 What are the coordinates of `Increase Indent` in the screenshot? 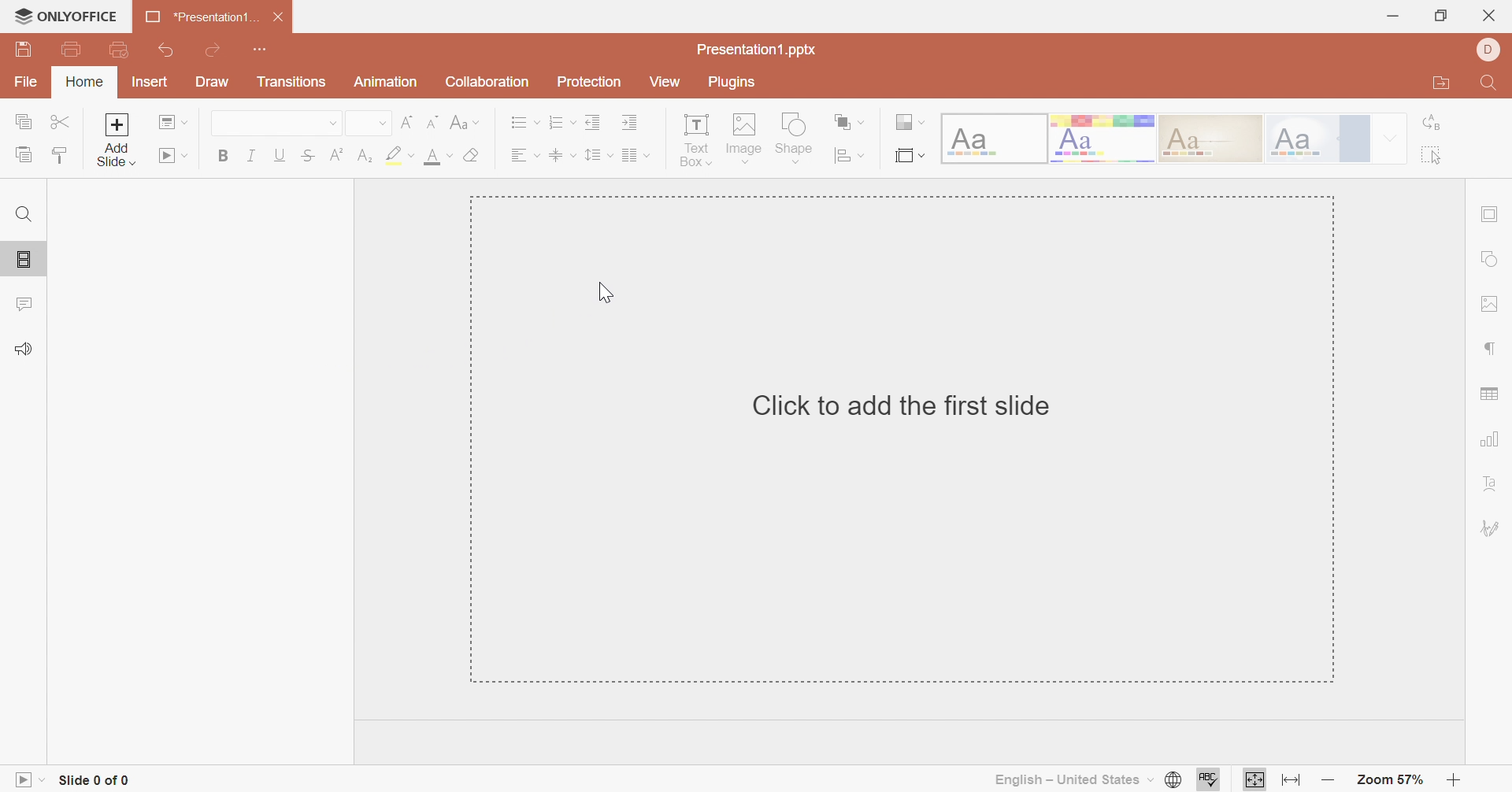 It's located at (633, 121).